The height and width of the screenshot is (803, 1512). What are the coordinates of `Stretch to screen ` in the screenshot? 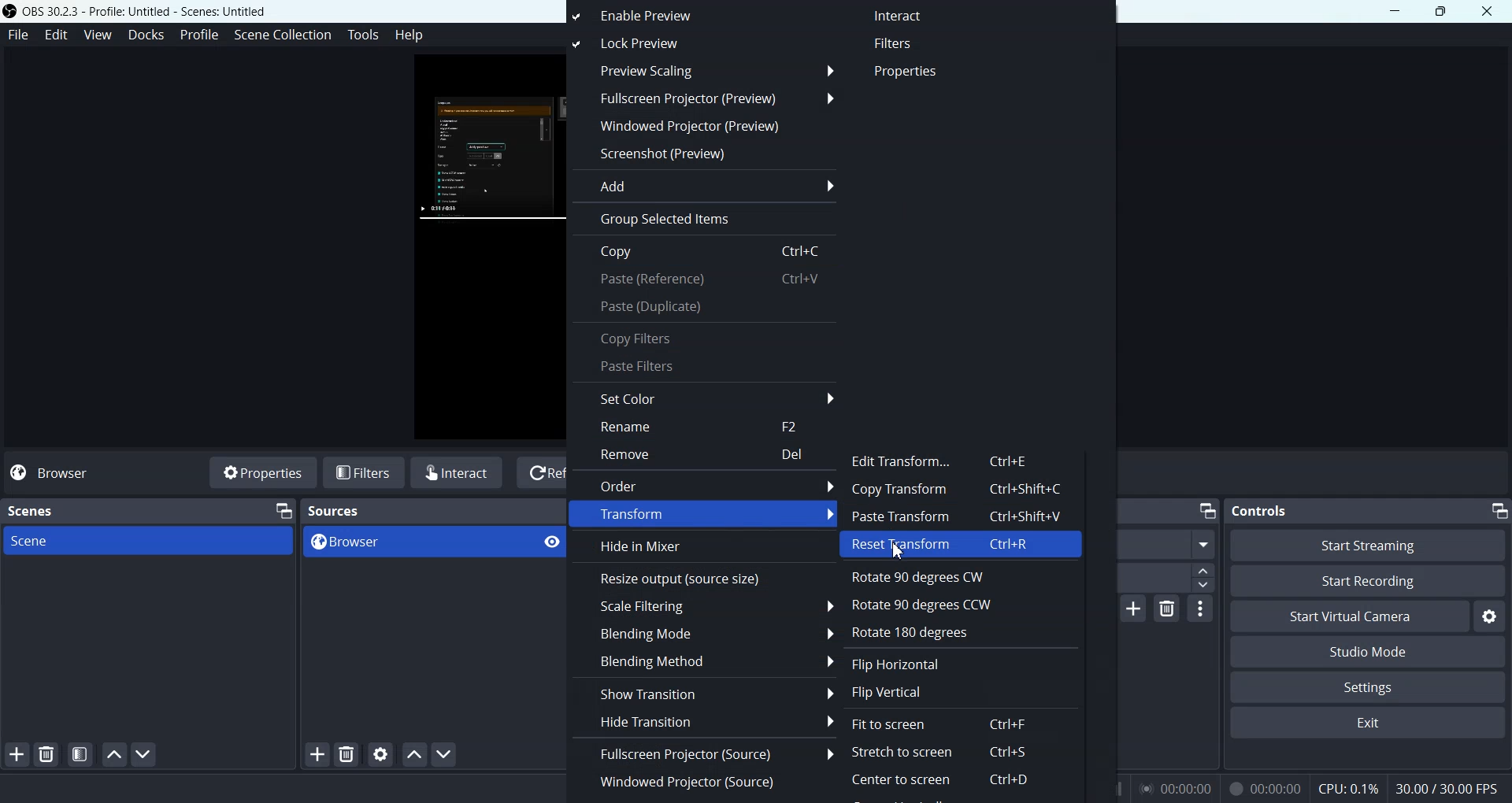 It's located at (939, 752).